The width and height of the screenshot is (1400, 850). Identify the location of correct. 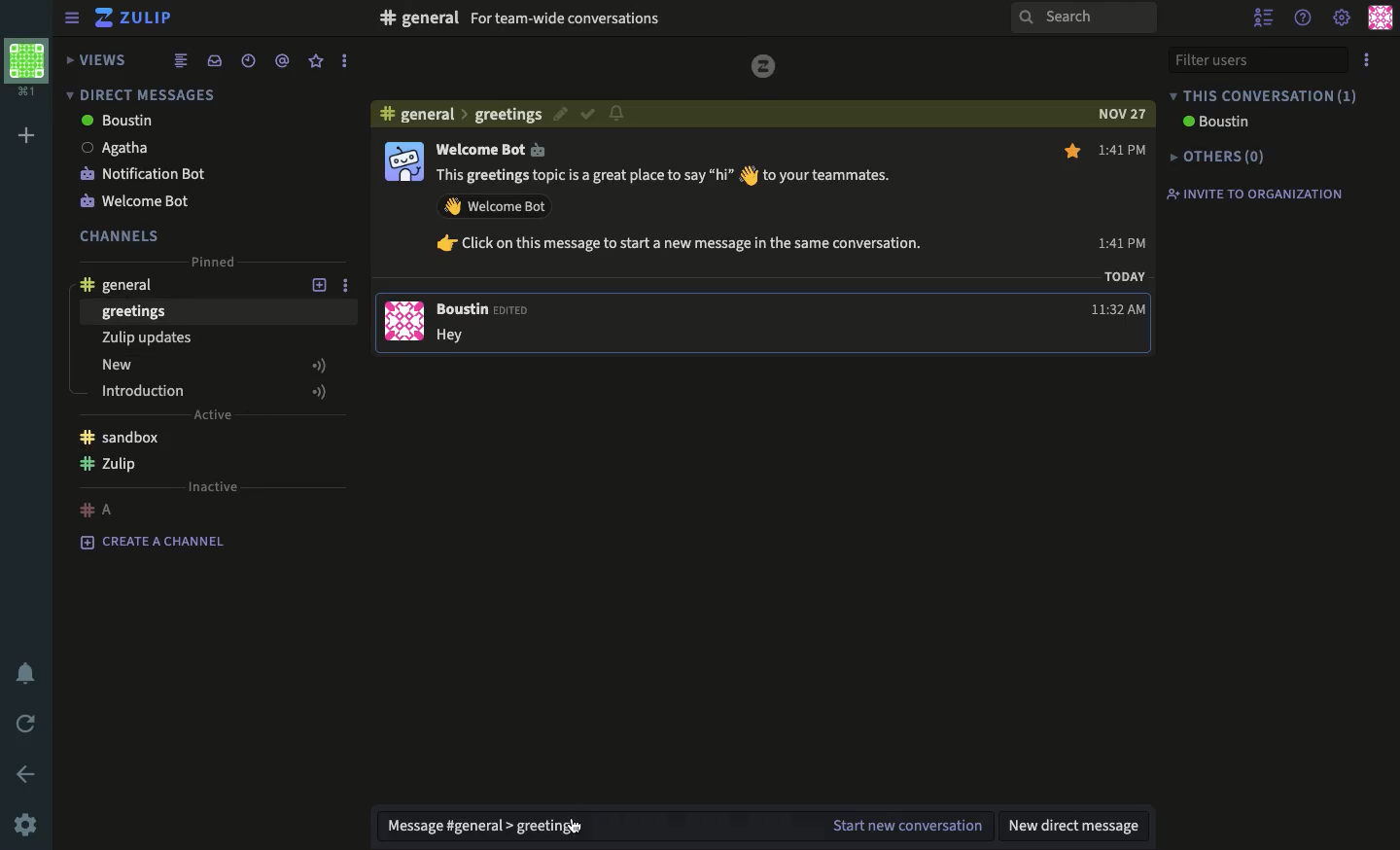
(586, 115).